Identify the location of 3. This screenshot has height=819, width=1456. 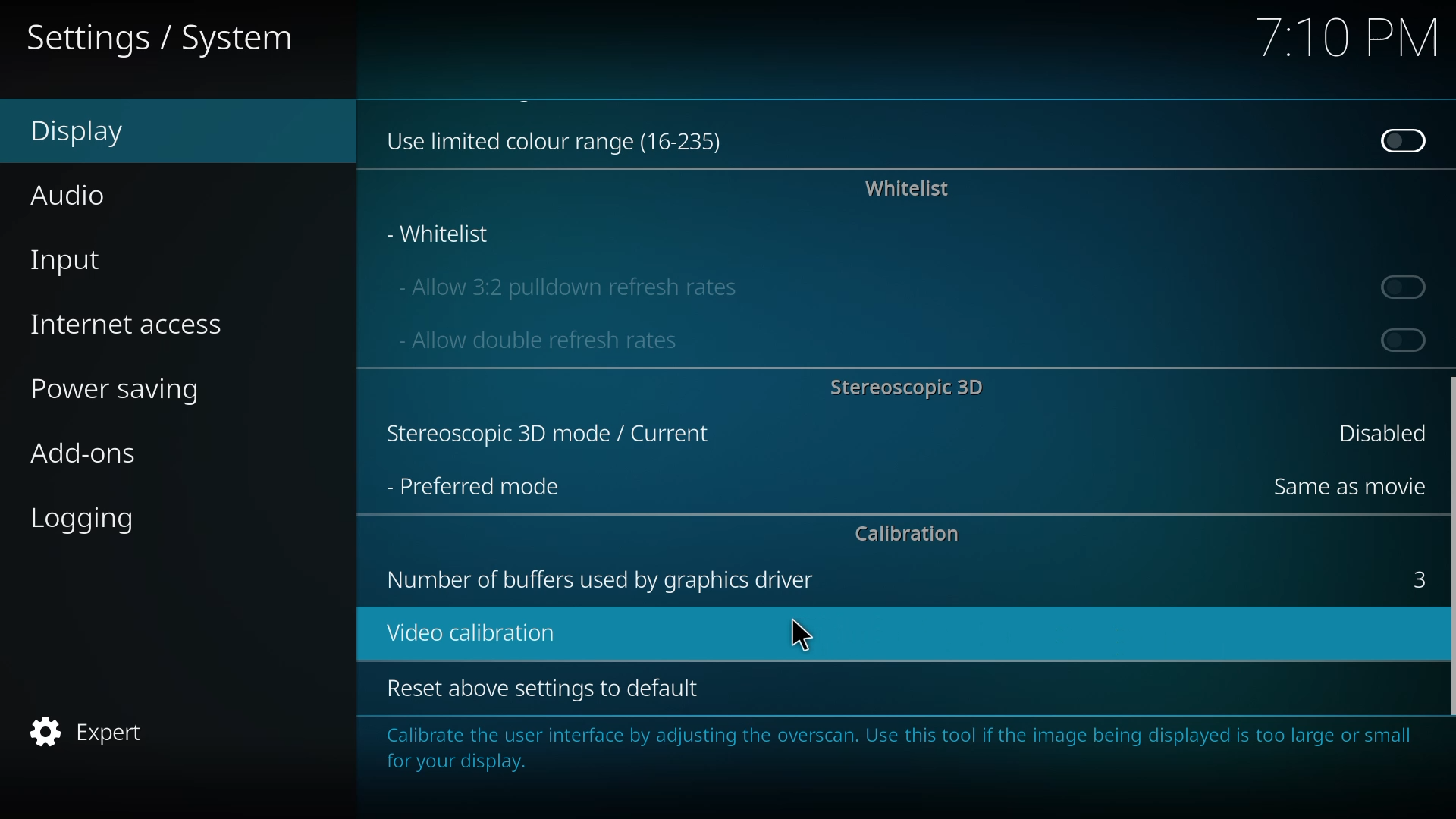
(1414, 577).